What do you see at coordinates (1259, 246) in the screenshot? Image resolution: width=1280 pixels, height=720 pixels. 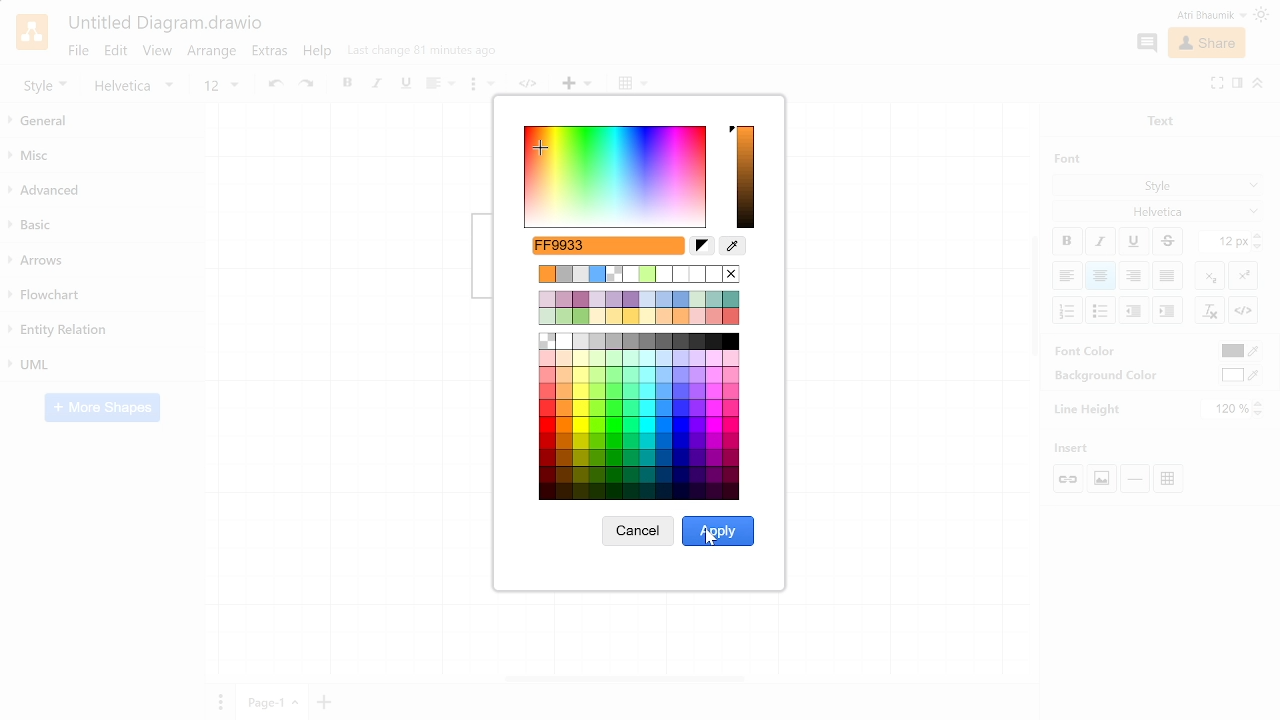 I see `Decrease font size` at bounding box center [1259, 246].